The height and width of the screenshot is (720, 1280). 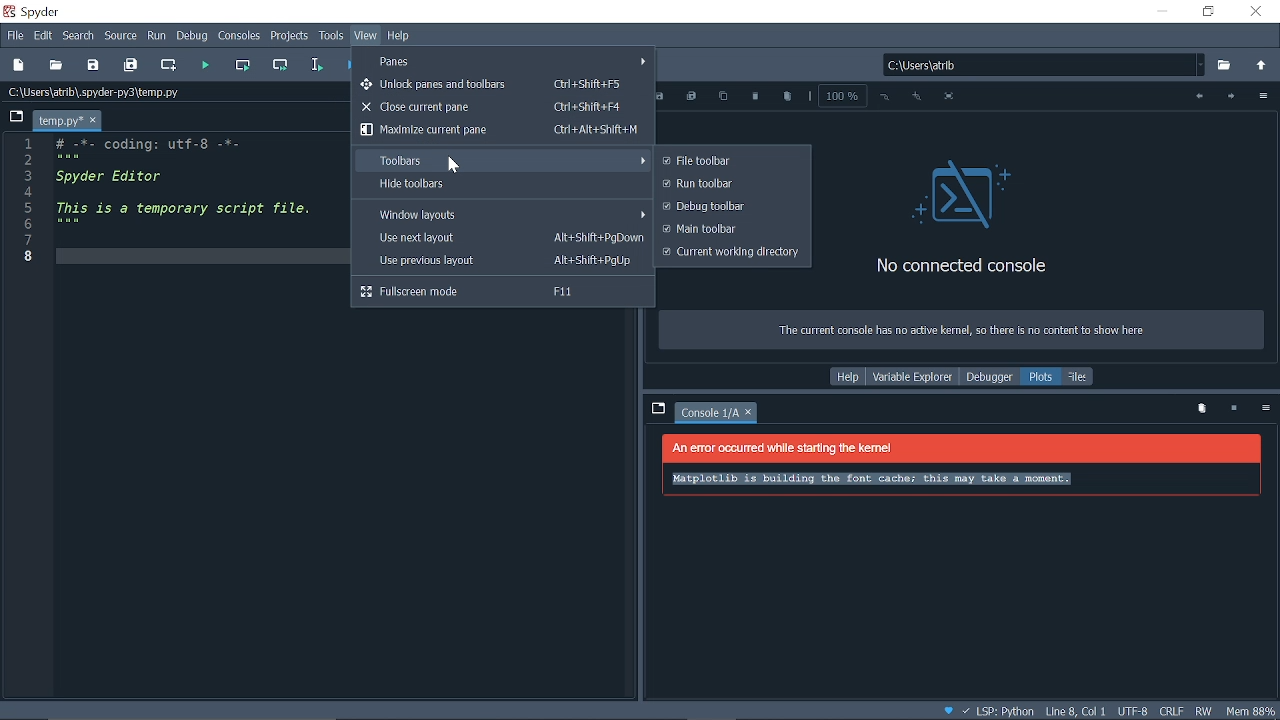 I want to click on File toolbar, so click(x=729, y=161).